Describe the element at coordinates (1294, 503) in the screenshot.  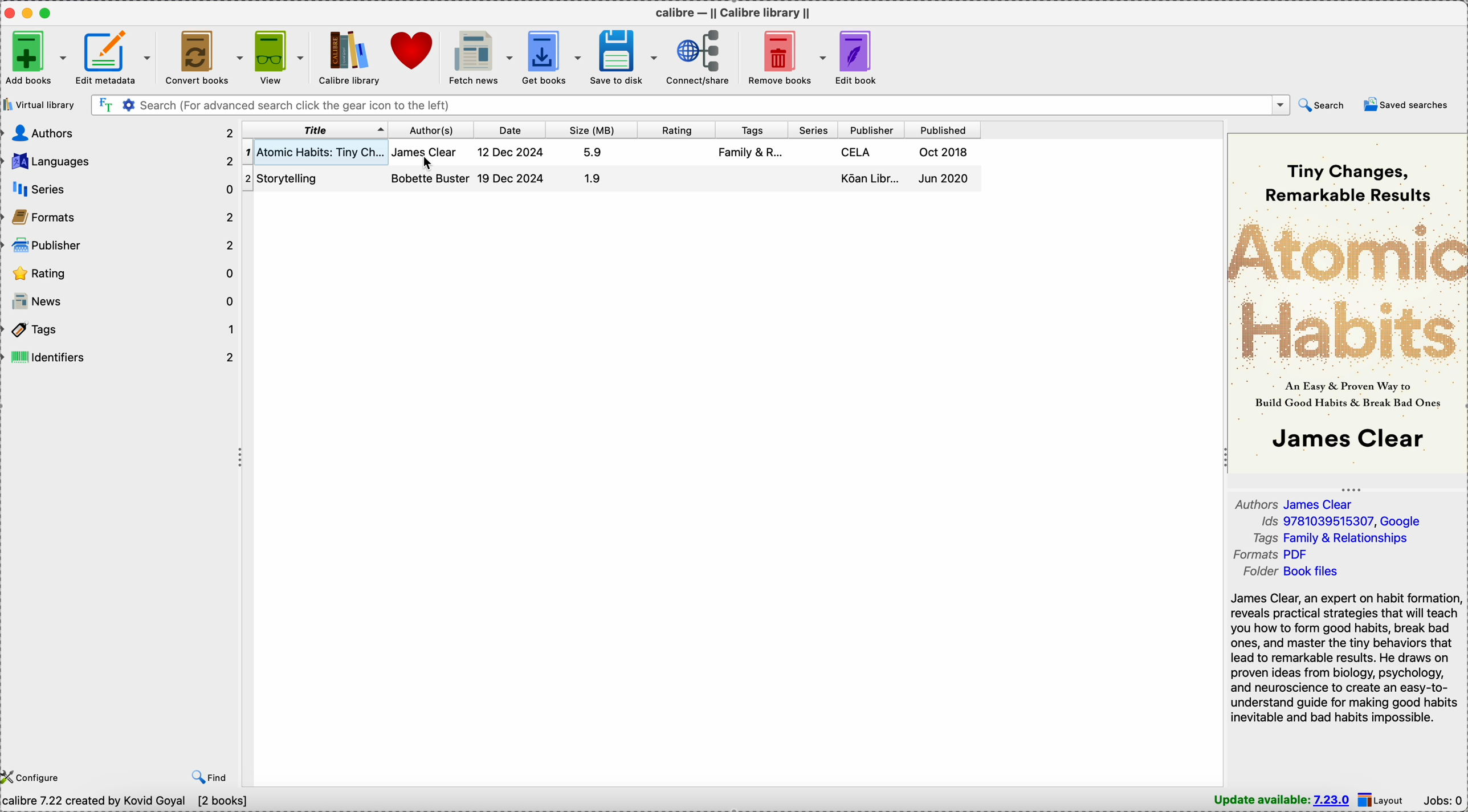
I see `author James Clear` at that location.